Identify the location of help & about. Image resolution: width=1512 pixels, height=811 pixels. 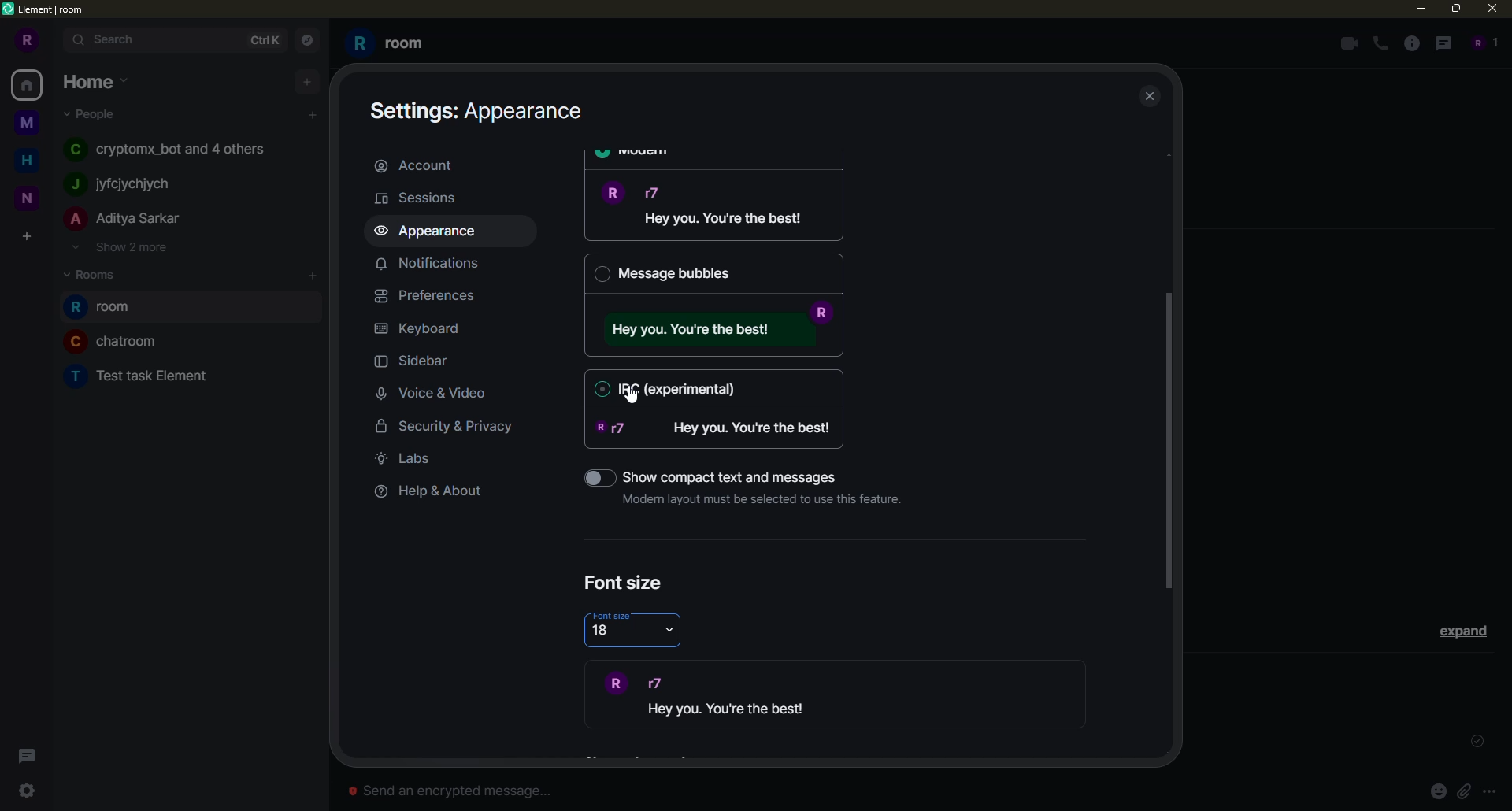
(426, 490).